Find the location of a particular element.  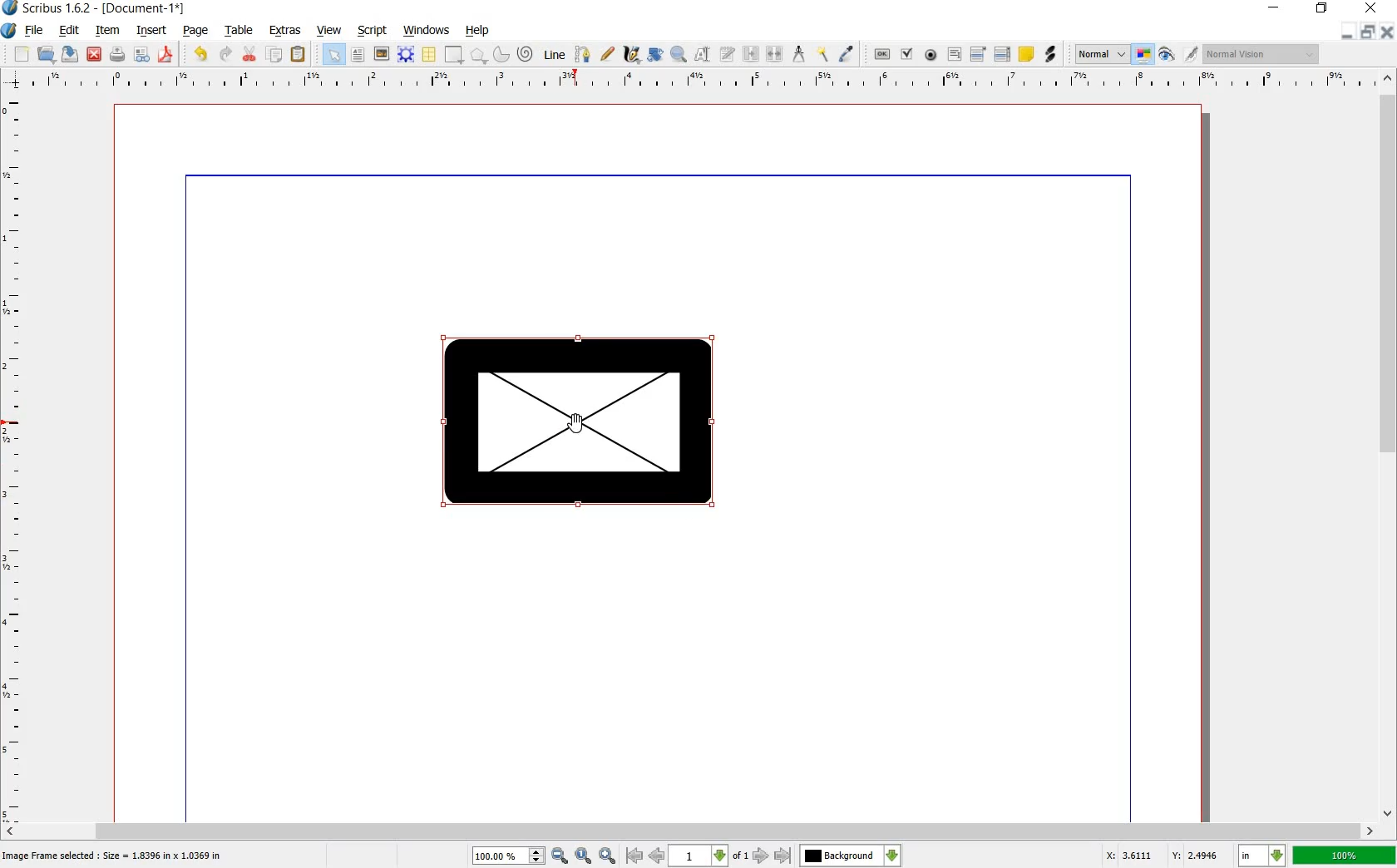

link text frames is located at coordinates (750, 53).